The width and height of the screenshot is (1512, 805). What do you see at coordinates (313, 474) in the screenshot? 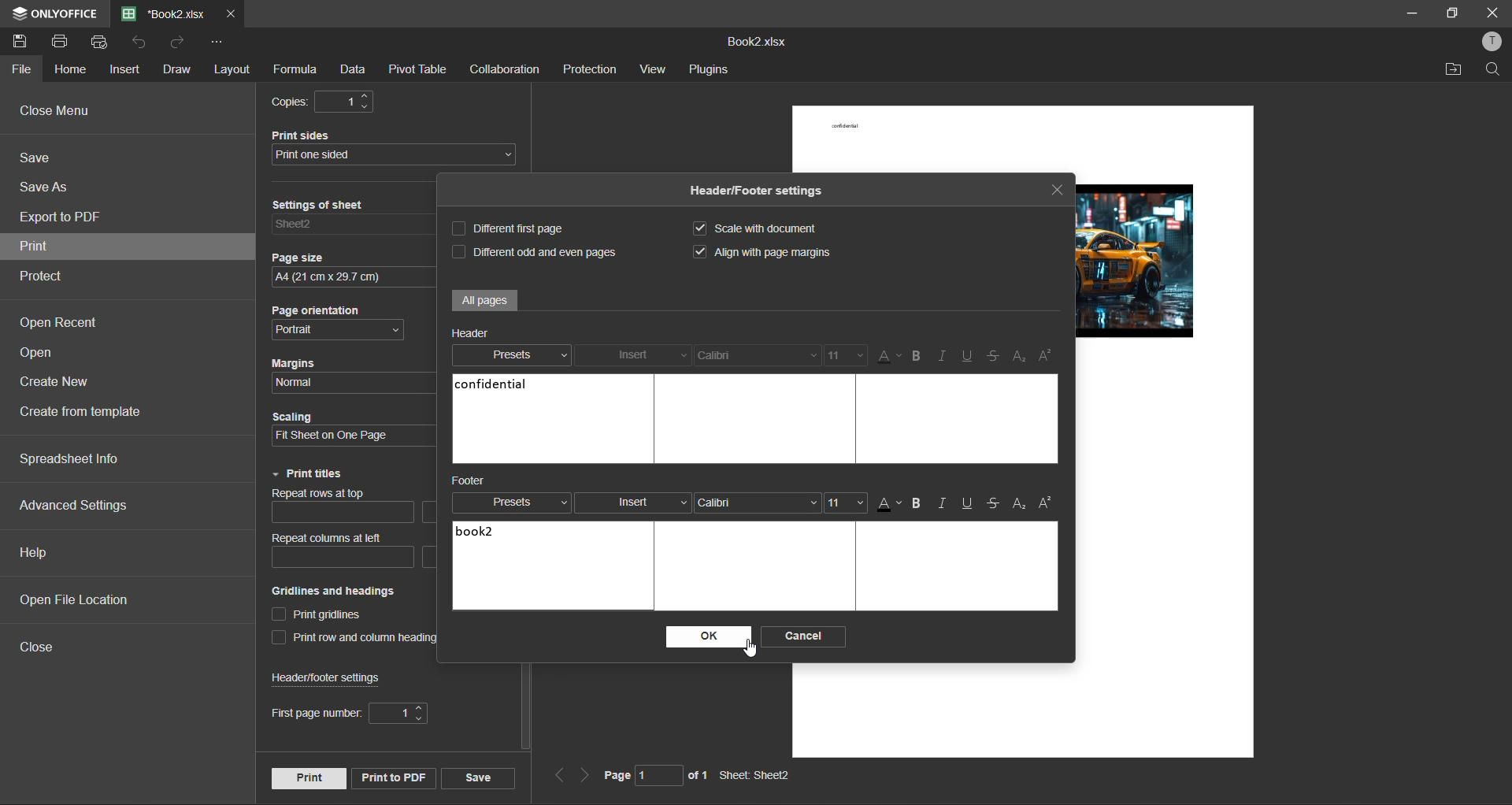
I see `print titles` at bounding box center [313, 474].